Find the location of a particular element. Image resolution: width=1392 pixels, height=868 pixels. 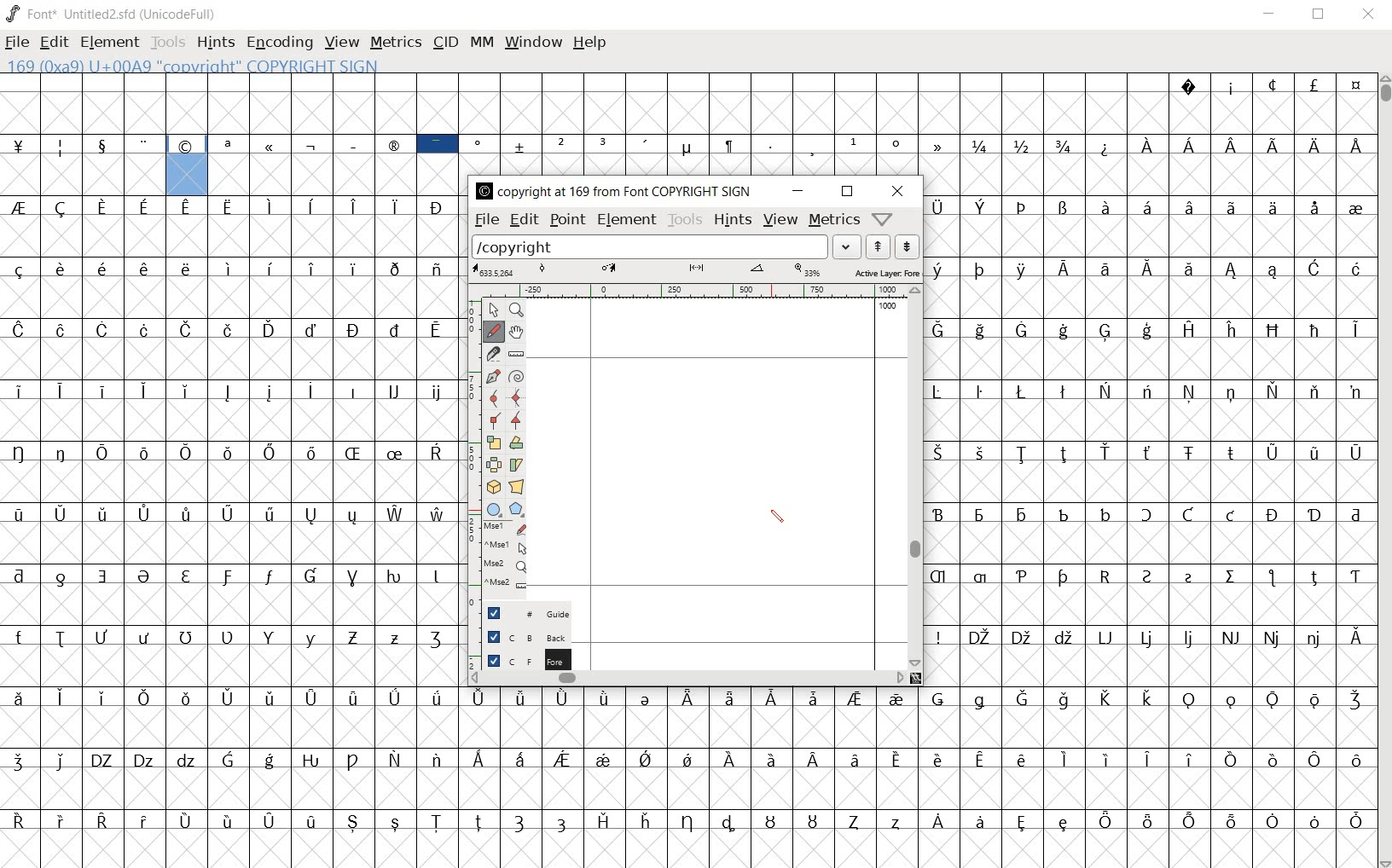

Help/Window is located at coordinates (884, 218).